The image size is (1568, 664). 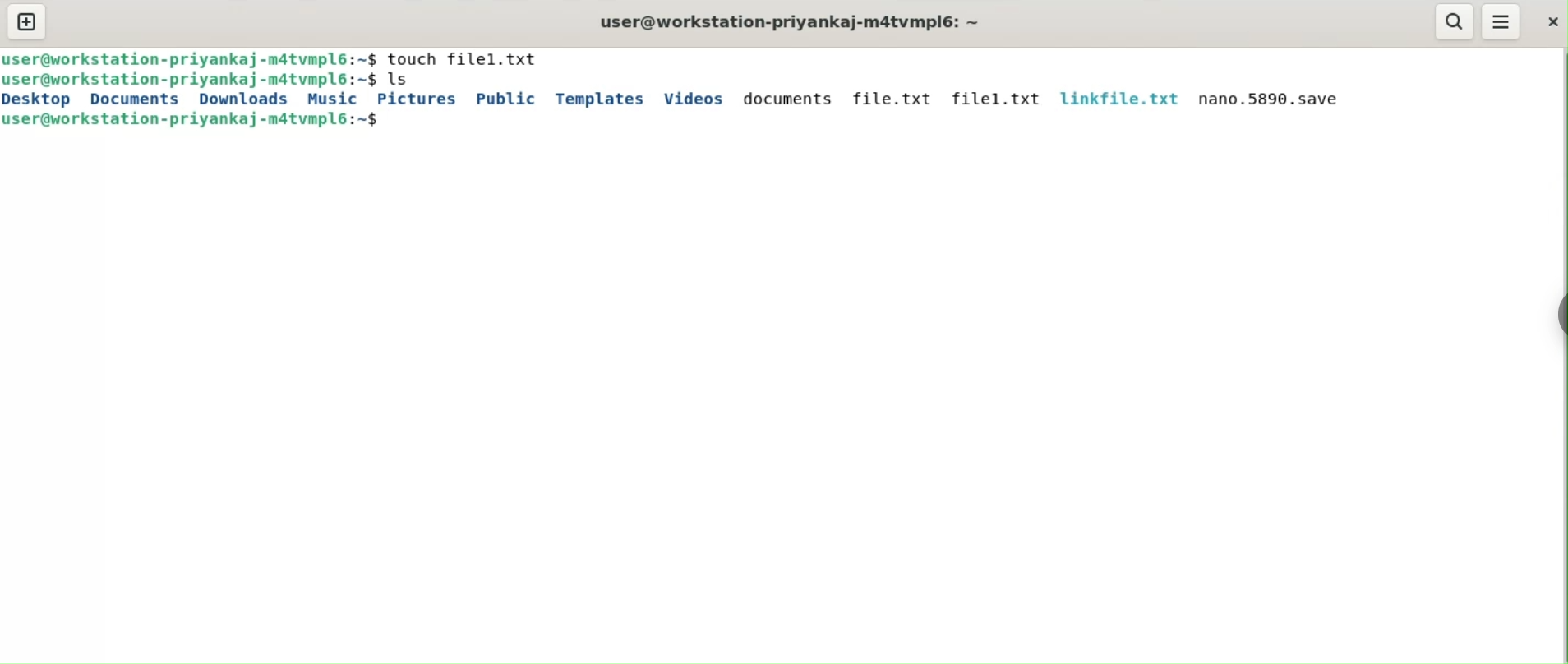 I want to click on desktop, so click(x=39, y=100).